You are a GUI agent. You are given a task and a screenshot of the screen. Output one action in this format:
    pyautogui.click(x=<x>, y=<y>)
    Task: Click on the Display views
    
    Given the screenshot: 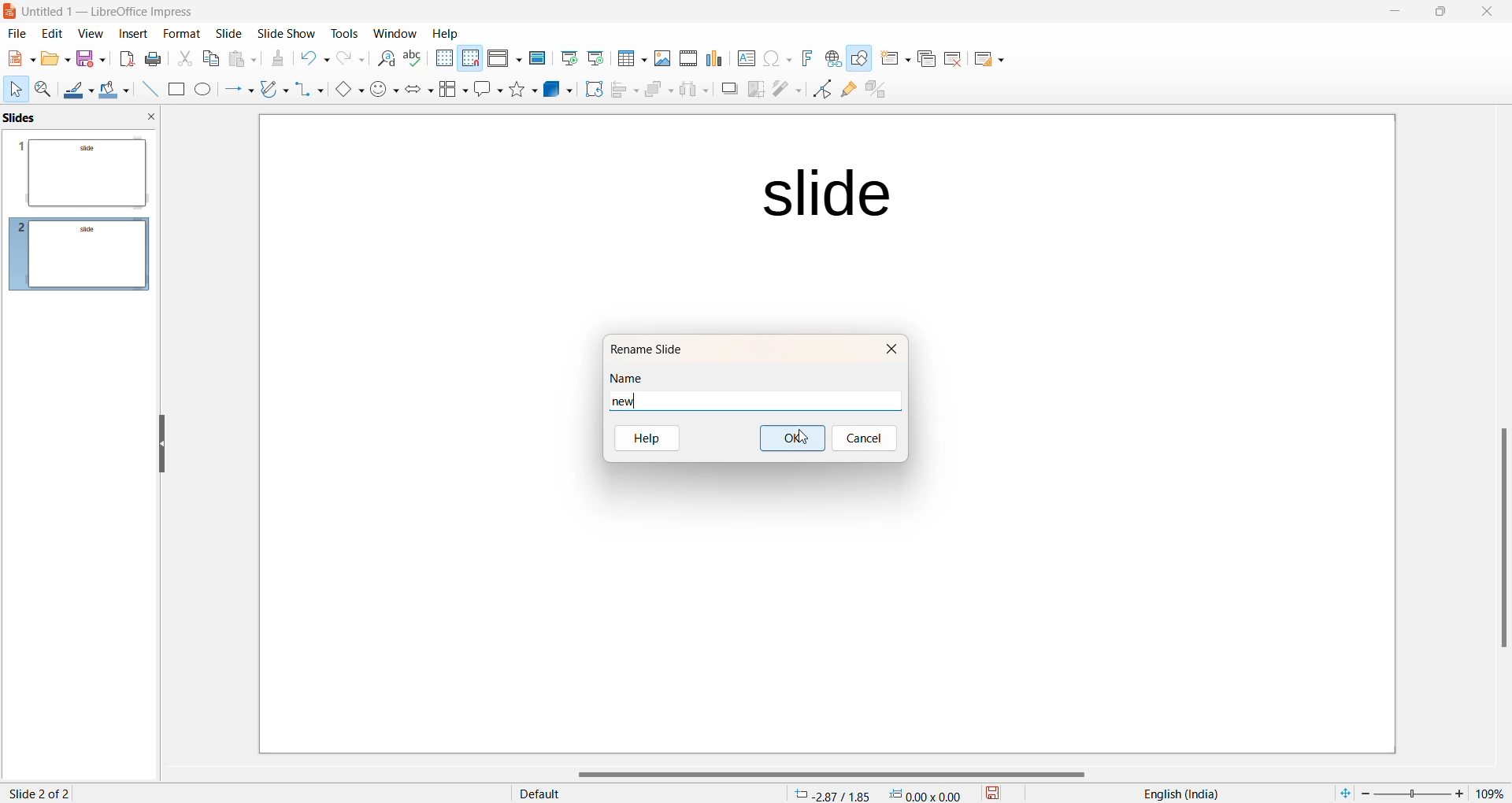 What is the action you would take?
    pyautogui.click(x=504, y=57)
    